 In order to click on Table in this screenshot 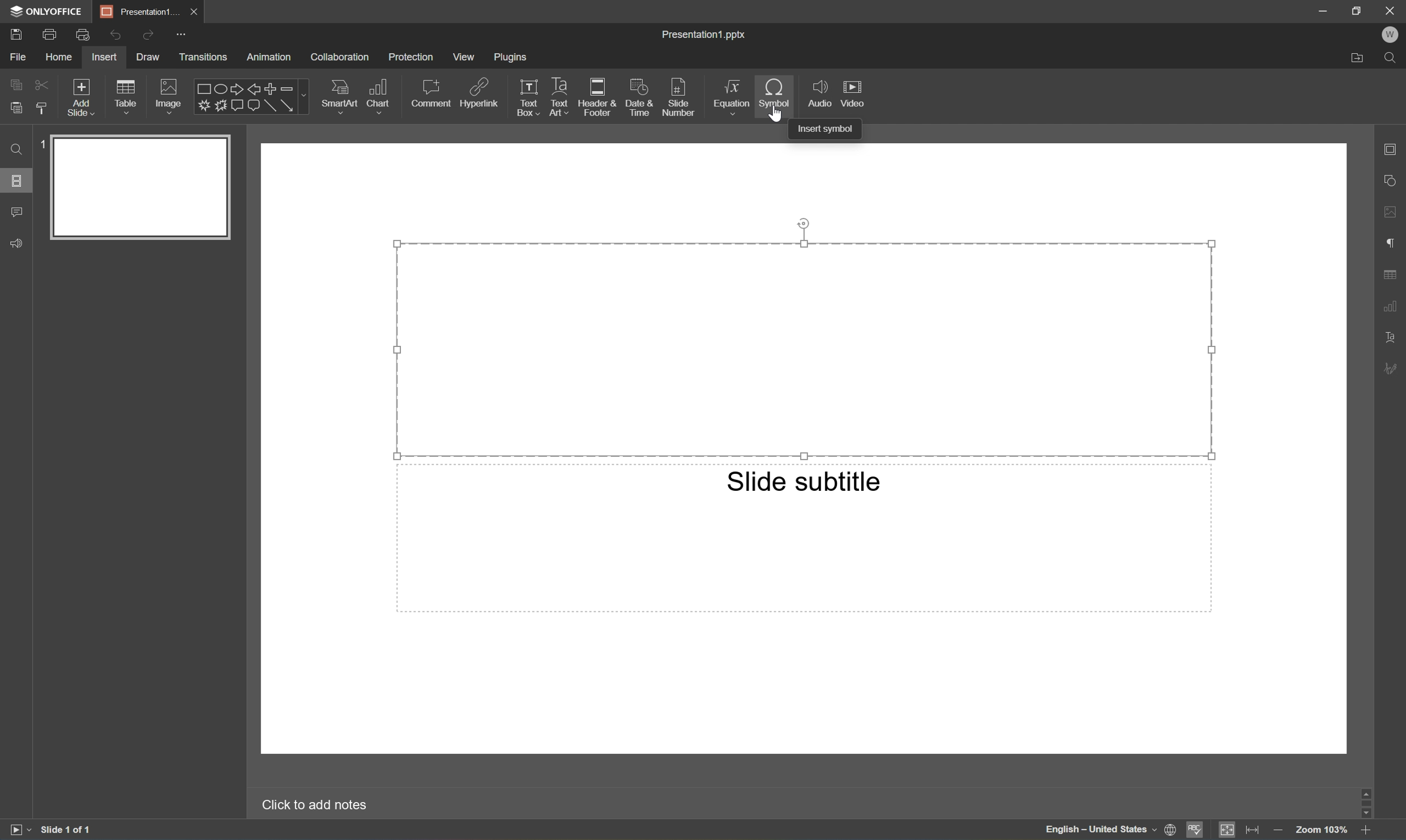, I will do `click(126, 97)`.